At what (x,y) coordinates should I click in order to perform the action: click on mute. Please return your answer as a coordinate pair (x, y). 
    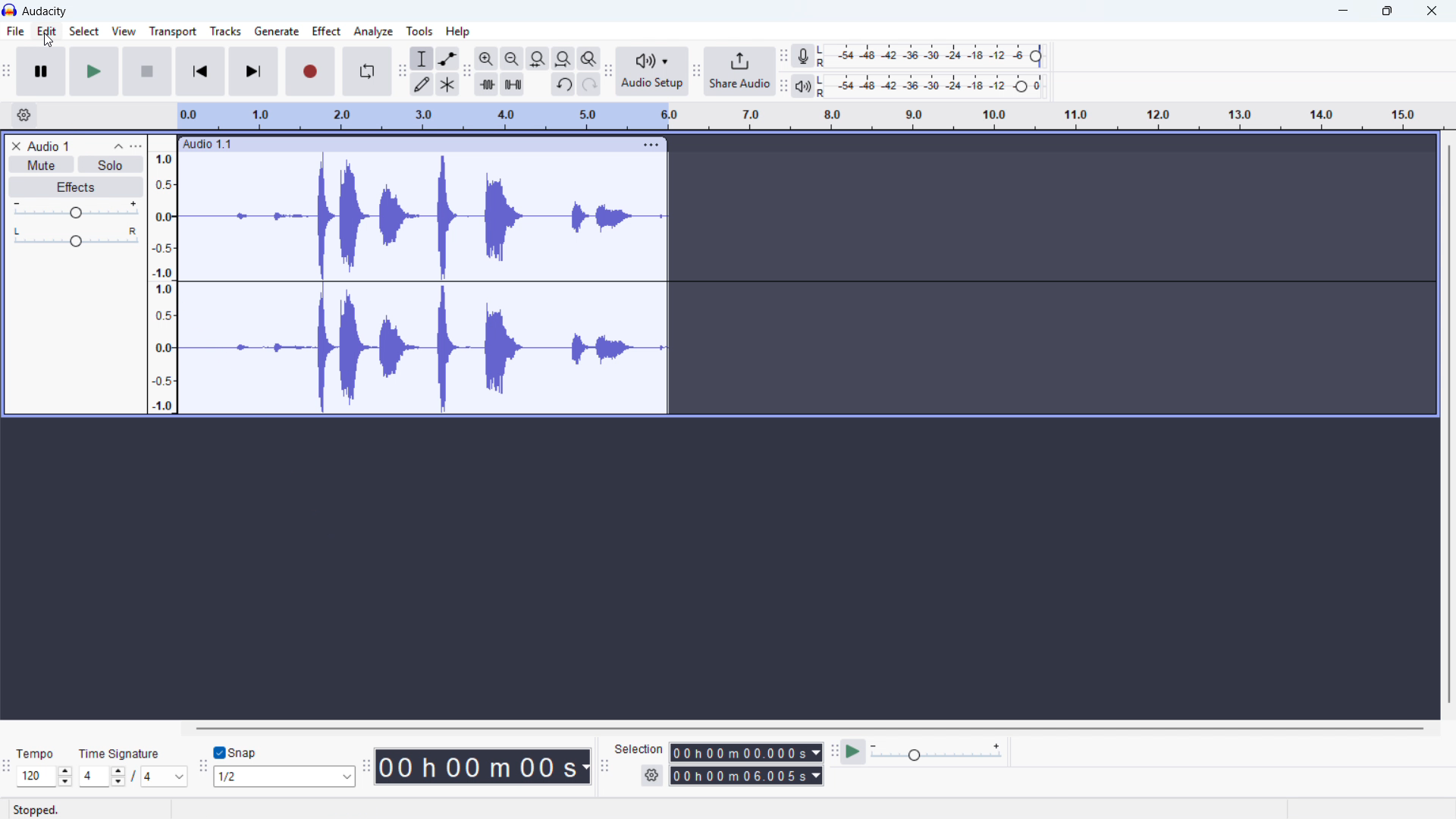
    Looking at the image, I should click on (40, 165).